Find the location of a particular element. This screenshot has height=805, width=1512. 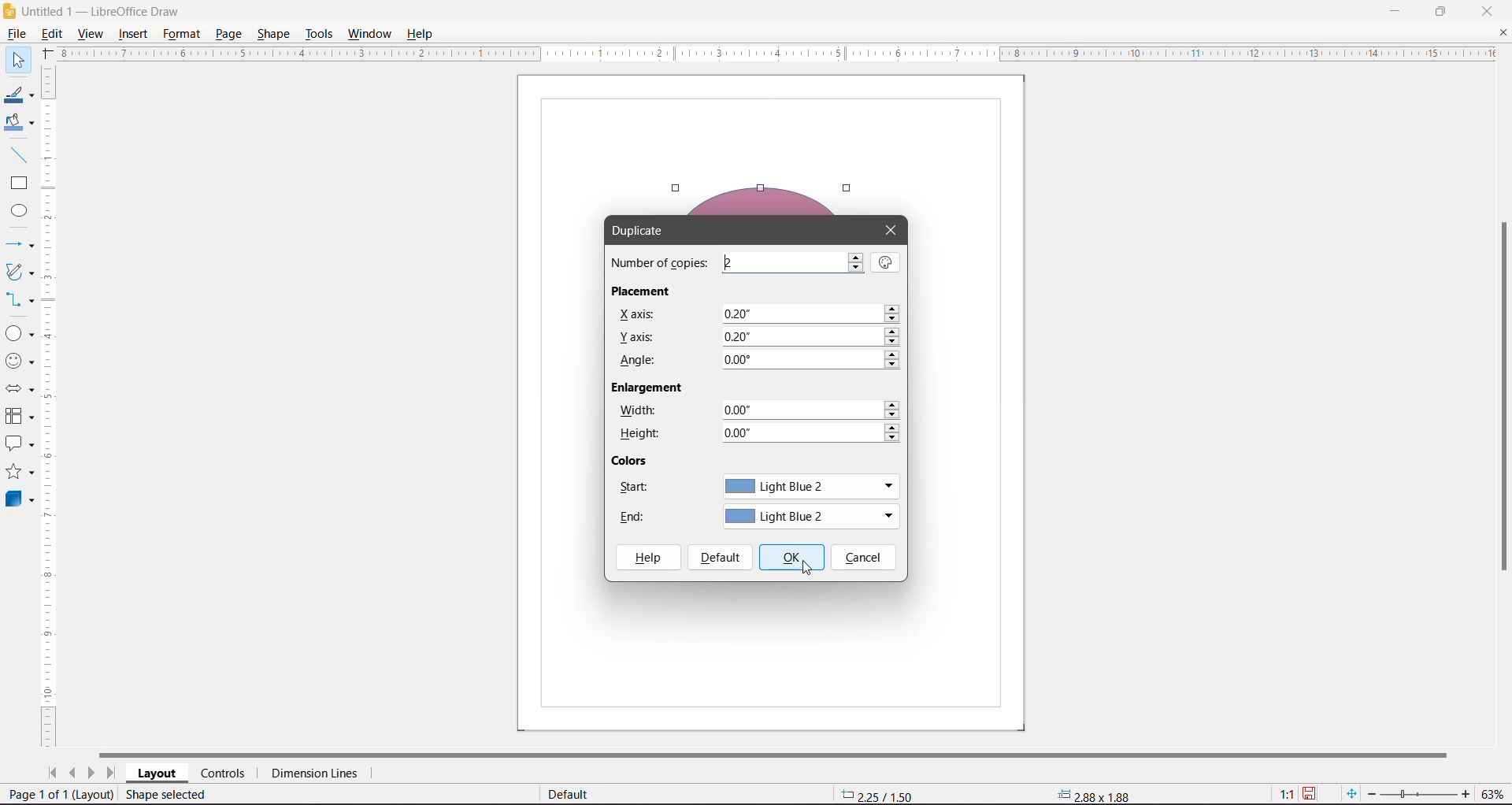

Set height of the object is located at coordinates (811, 433).